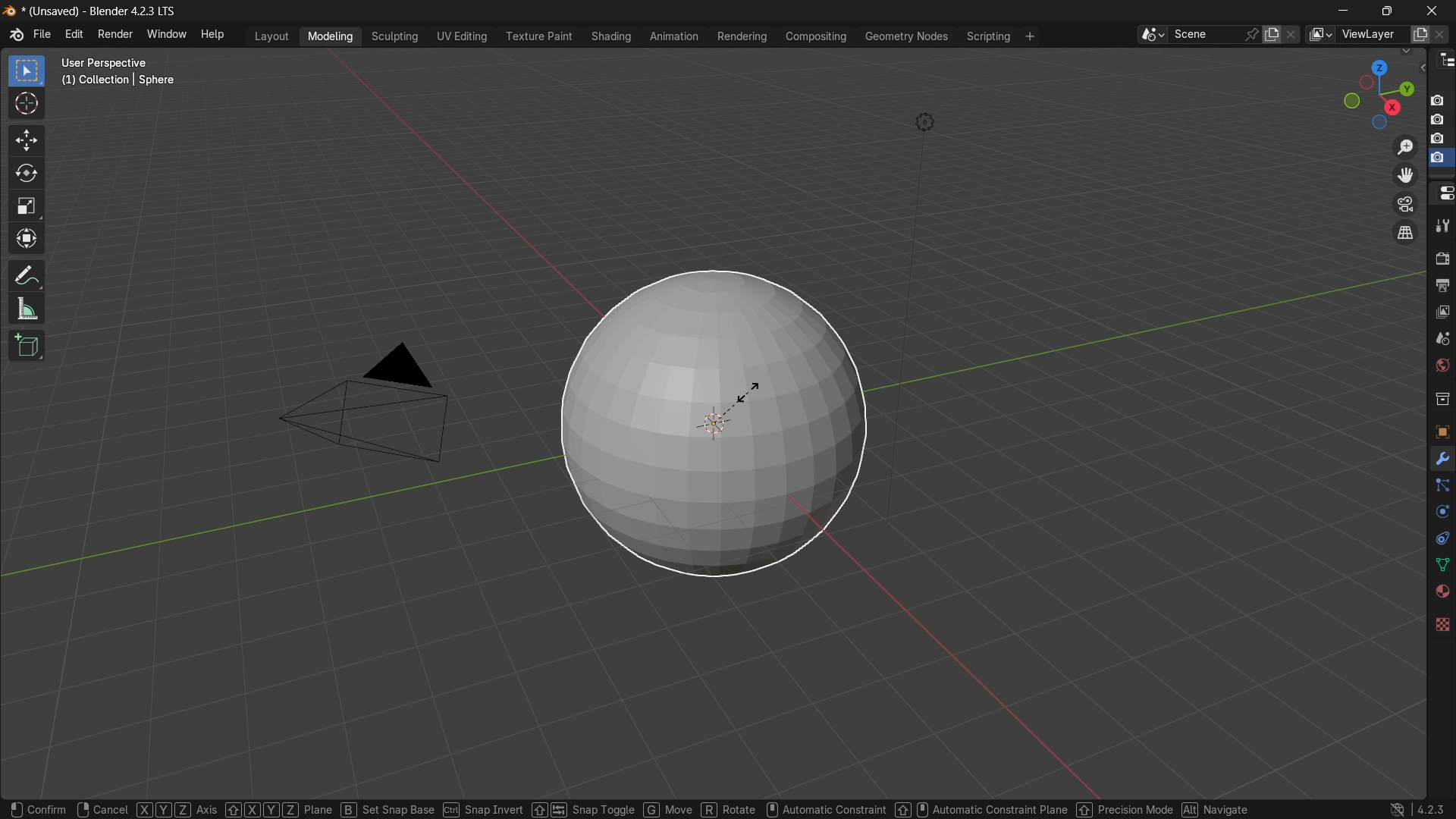 The width and height of the screenshot is (1456, 819). I want to click on camera, so click(371, 406).